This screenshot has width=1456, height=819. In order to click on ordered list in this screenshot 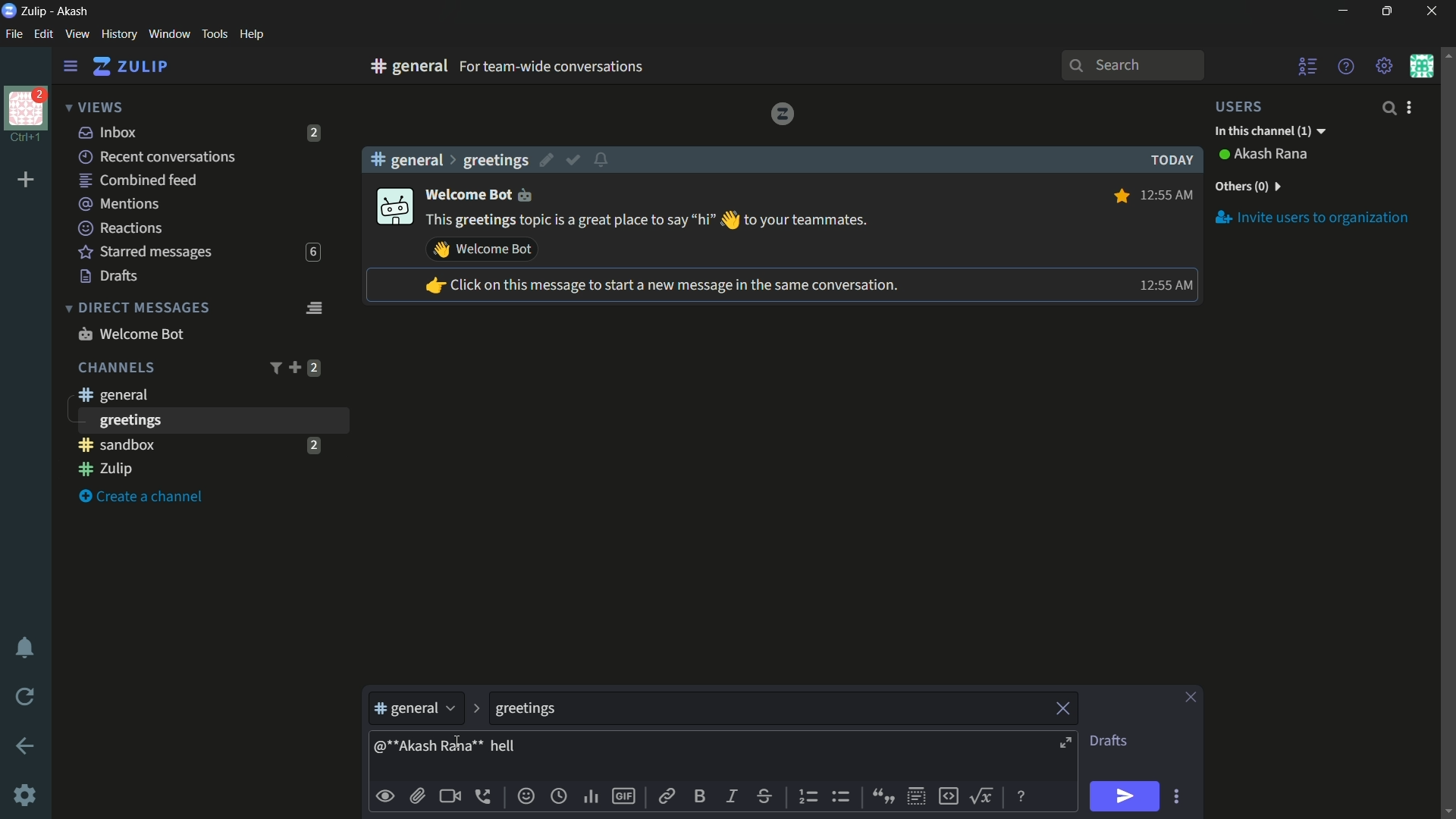, I will do `click(811, 797)`.